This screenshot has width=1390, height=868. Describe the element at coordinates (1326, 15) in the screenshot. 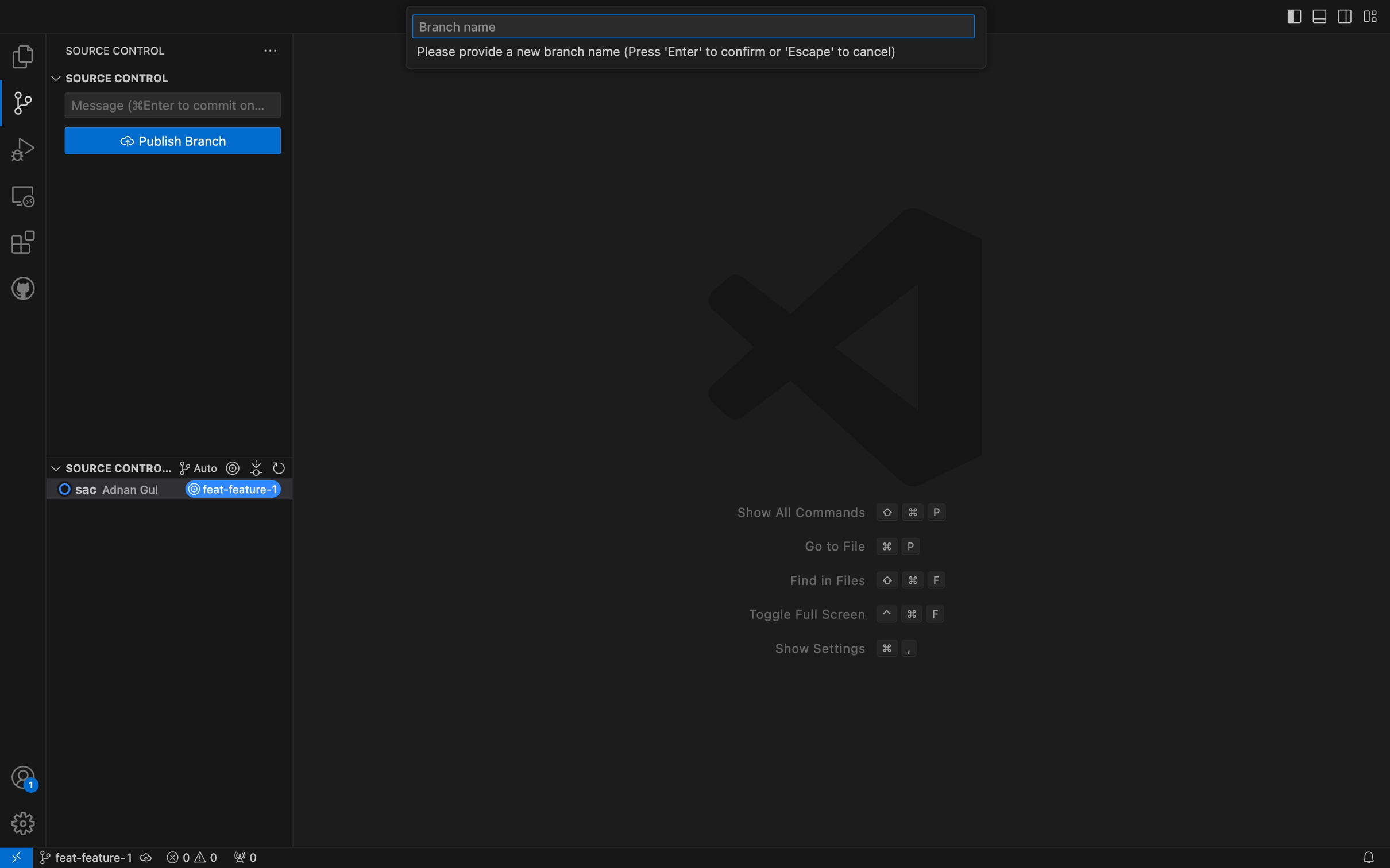

I see `layouts` at that location.